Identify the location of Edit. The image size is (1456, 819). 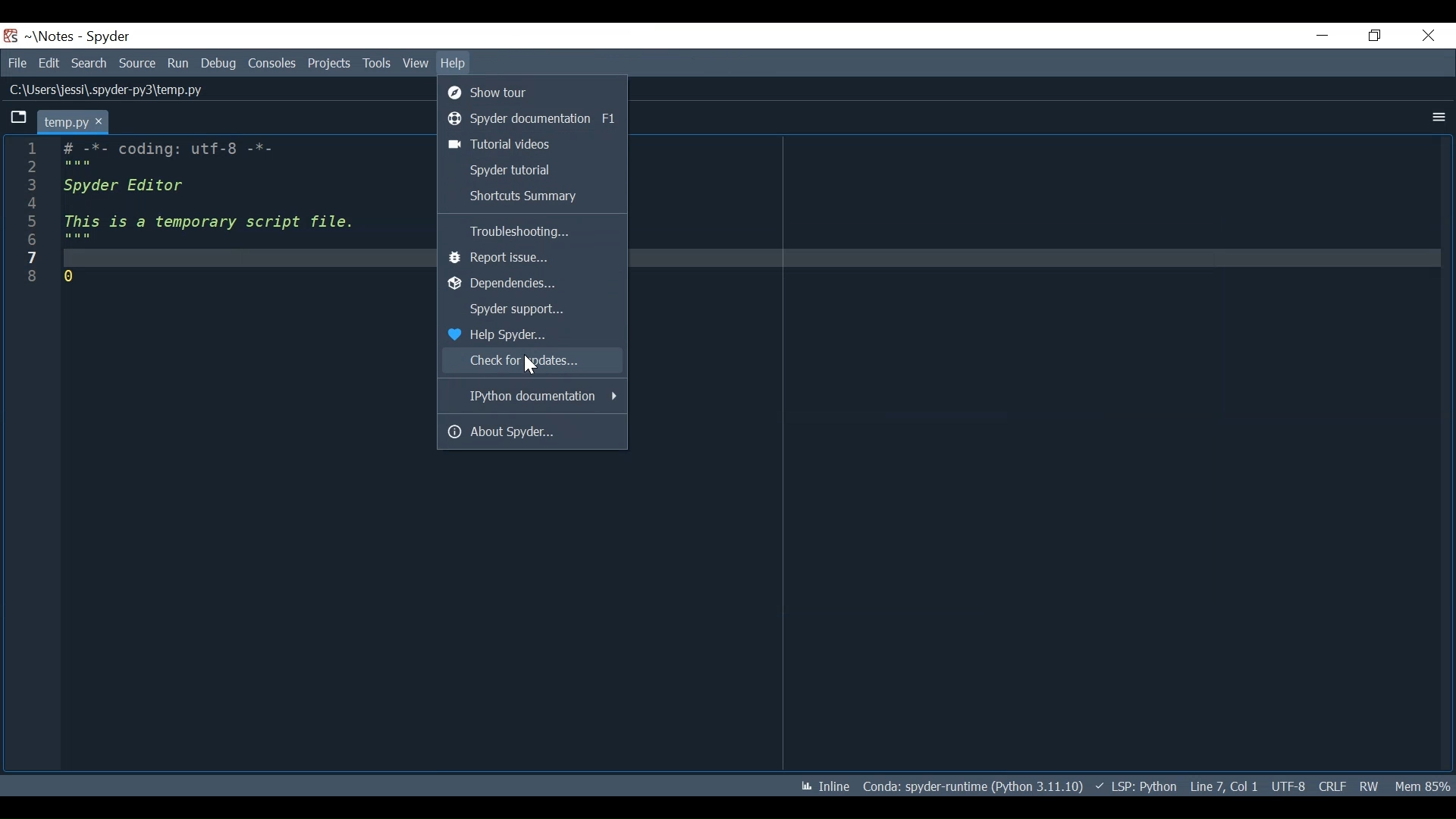
(49, 62).